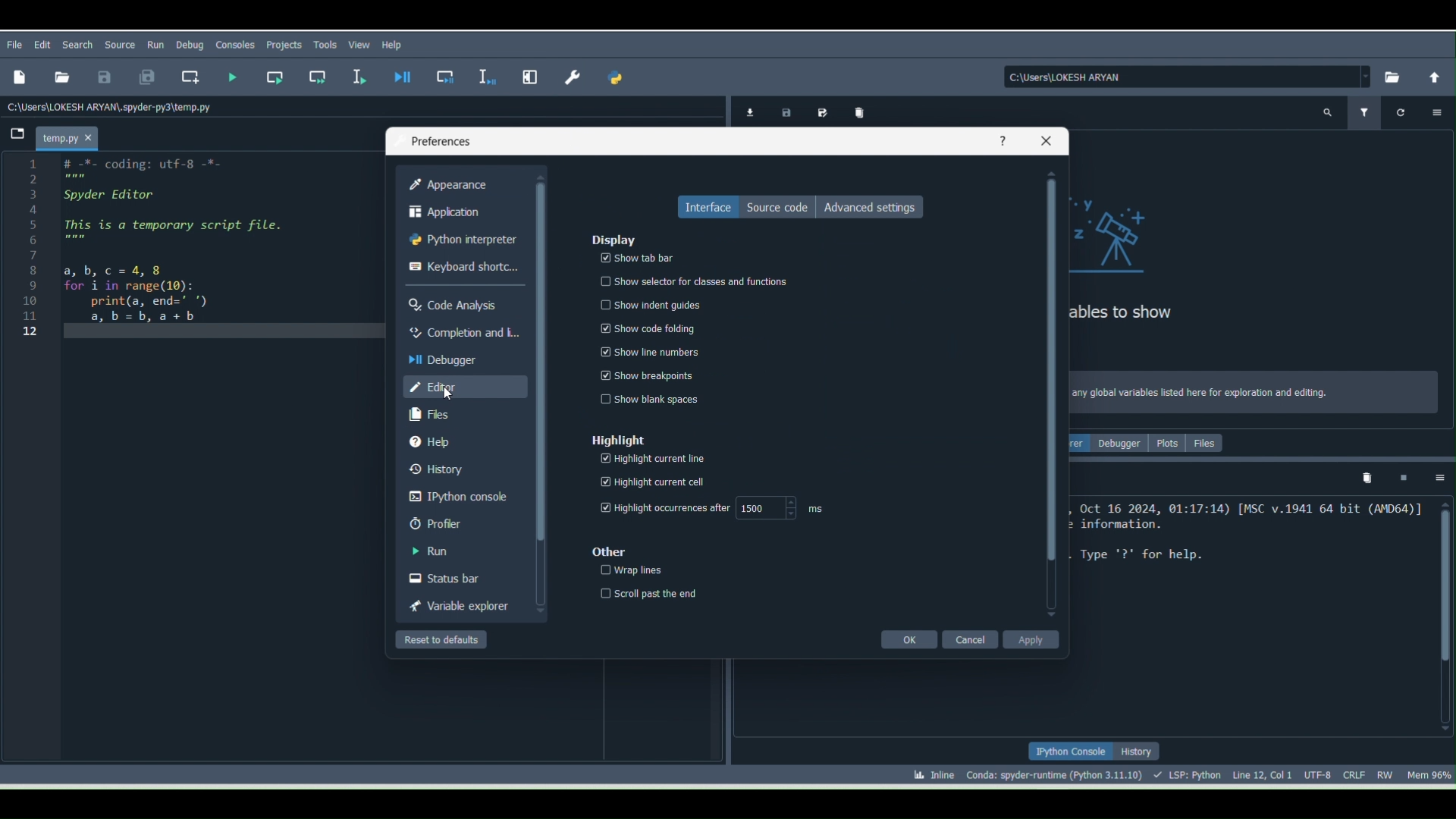 The width and height of the screenshot is (1456, 819). What do you see at coordinates (160, 258) in the screenshot?
I see `Bl wn I
3 Spyder Editor

a

5 This is a temporary script file.
6 mem

7

8 ab, c=4,38

9 for i in range(10):
10 print(a, end=" ')
11 a, b=b, a+b
12` at bounding box center [160, 258].